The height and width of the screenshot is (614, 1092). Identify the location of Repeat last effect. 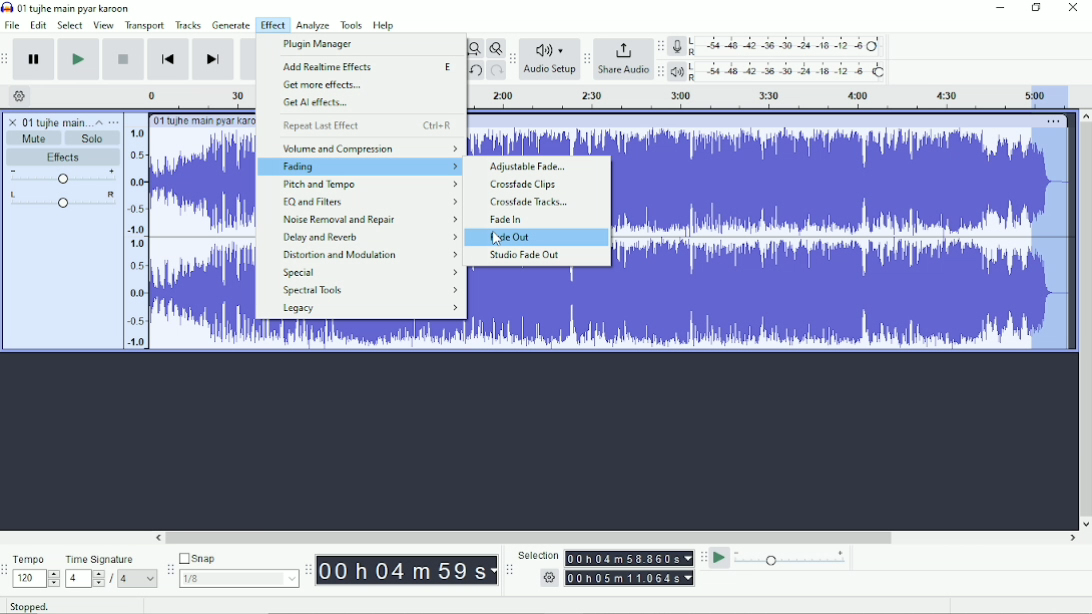
(366, 126).